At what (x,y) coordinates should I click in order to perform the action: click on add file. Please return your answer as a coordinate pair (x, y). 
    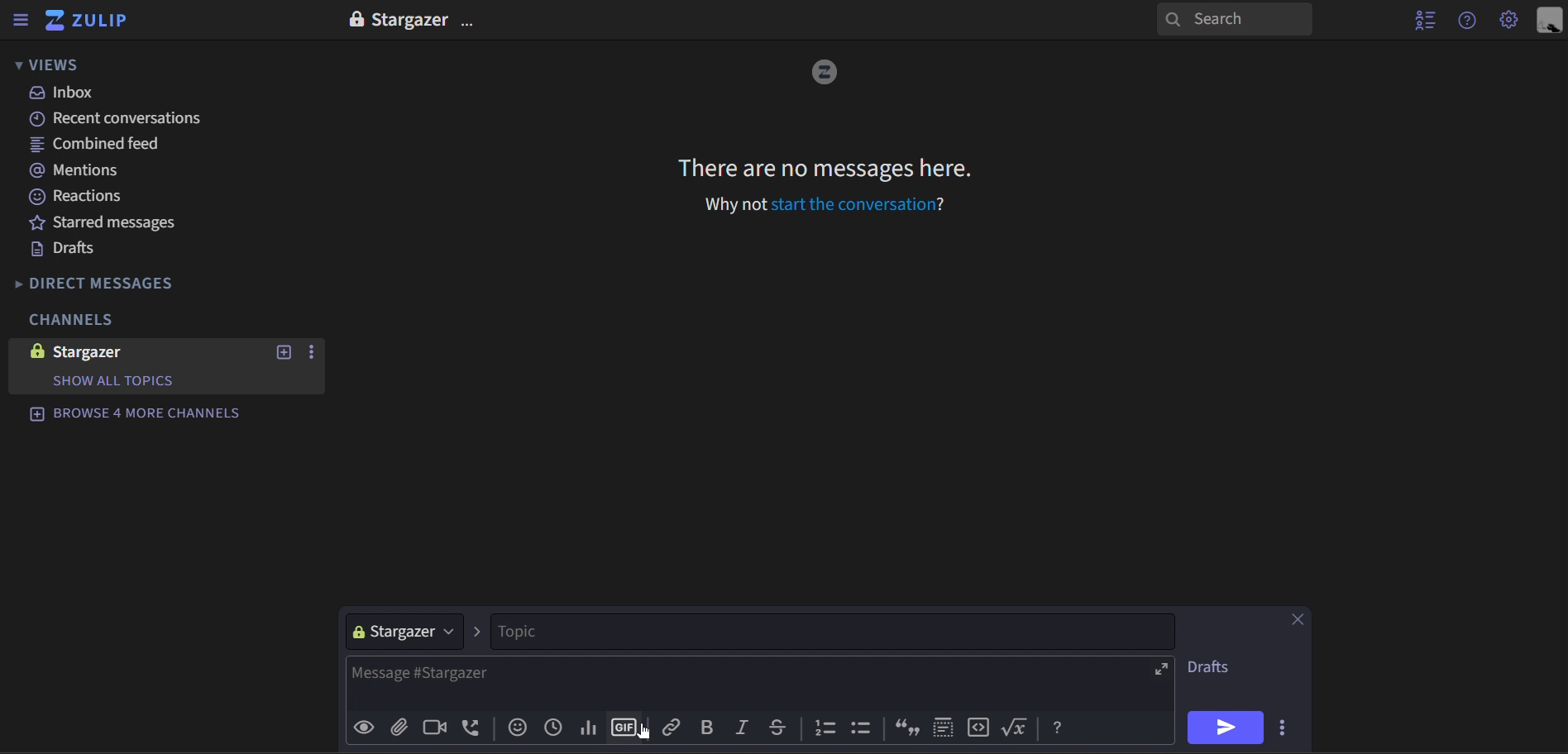
    Looking at the image, I should click on (401, 728).